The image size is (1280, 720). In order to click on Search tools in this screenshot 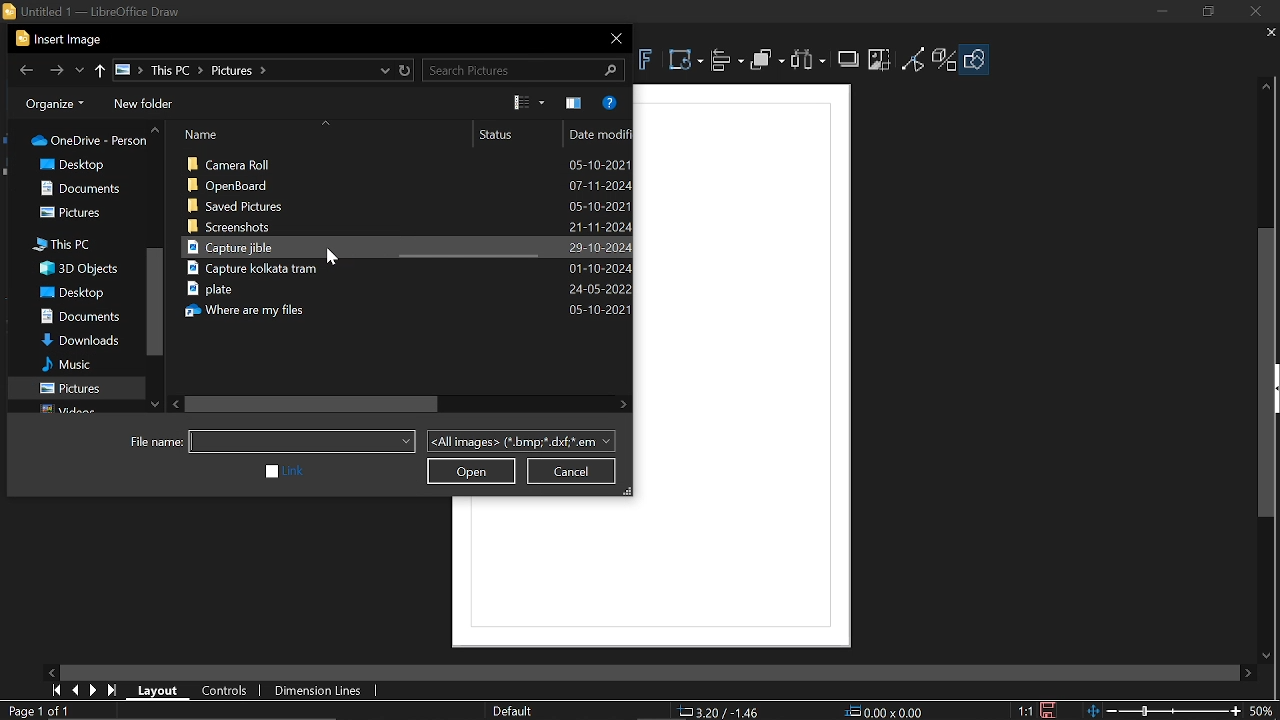, I will do `click(526, 69)`.